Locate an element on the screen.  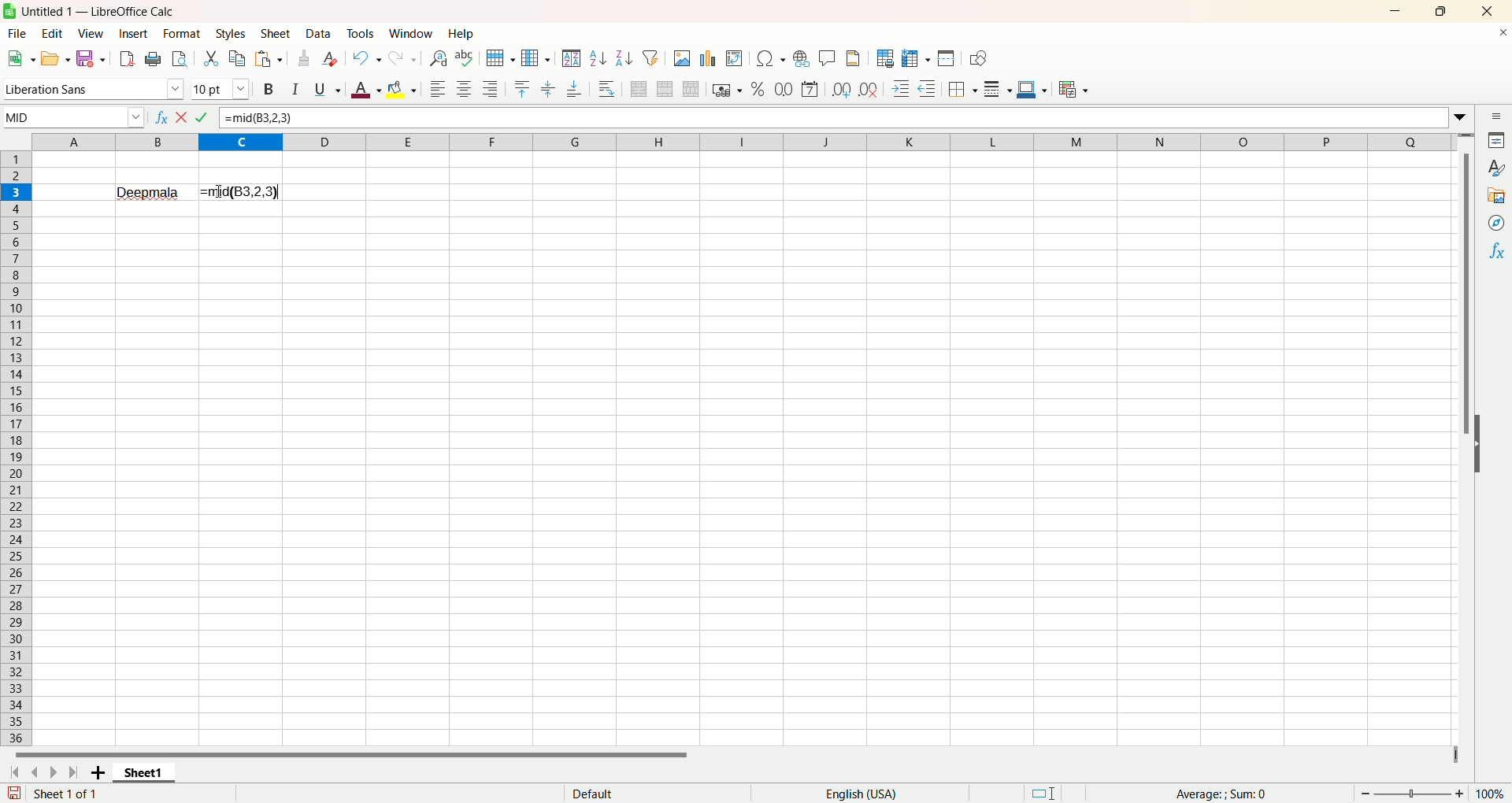
hide is located at coordinates (1480, 455).